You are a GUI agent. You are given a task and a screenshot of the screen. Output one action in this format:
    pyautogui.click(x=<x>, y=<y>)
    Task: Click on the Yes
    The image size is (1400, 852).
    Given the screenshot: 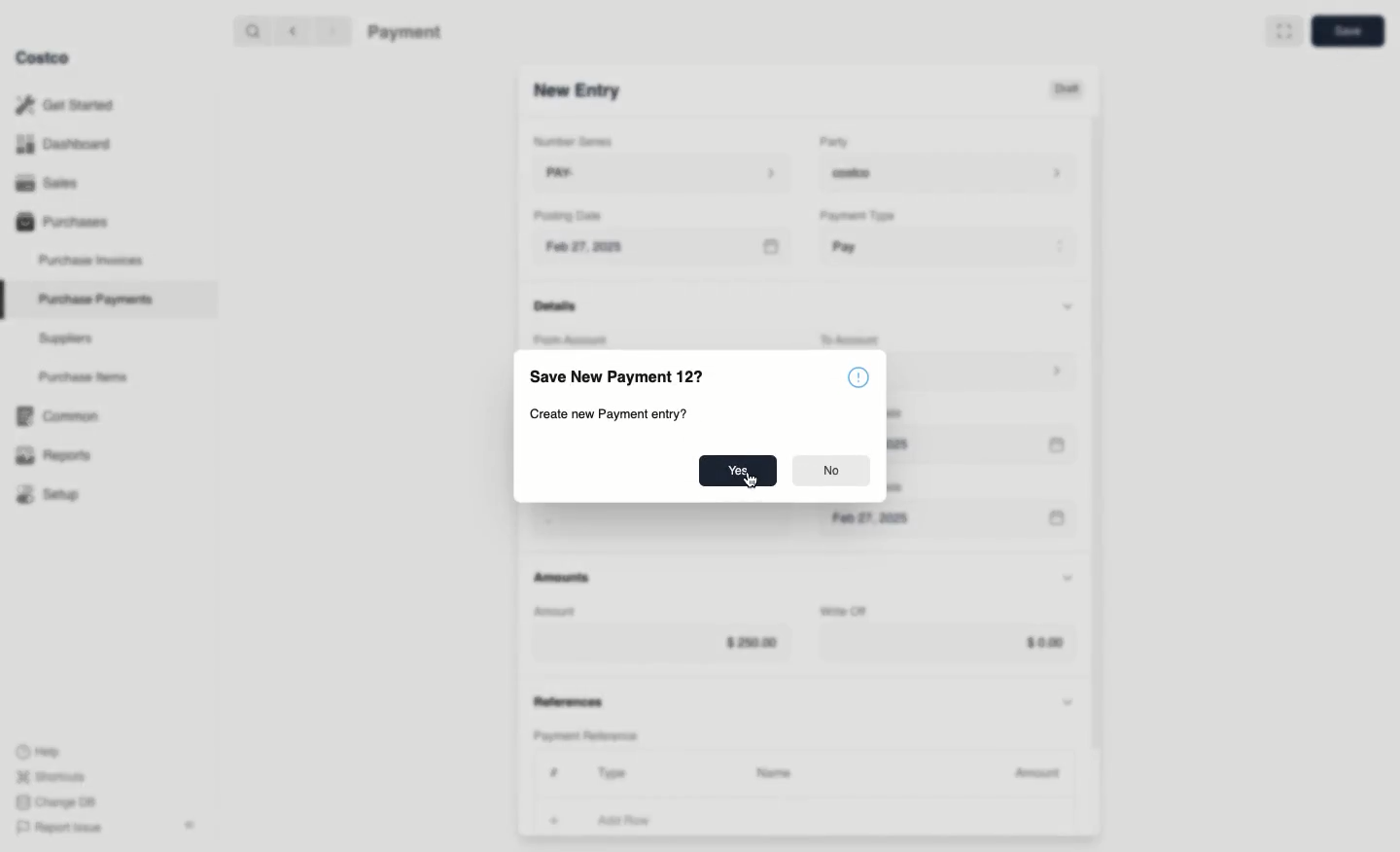 What is the action you would take?
    pyautogui.click(x=737, y=470)
    